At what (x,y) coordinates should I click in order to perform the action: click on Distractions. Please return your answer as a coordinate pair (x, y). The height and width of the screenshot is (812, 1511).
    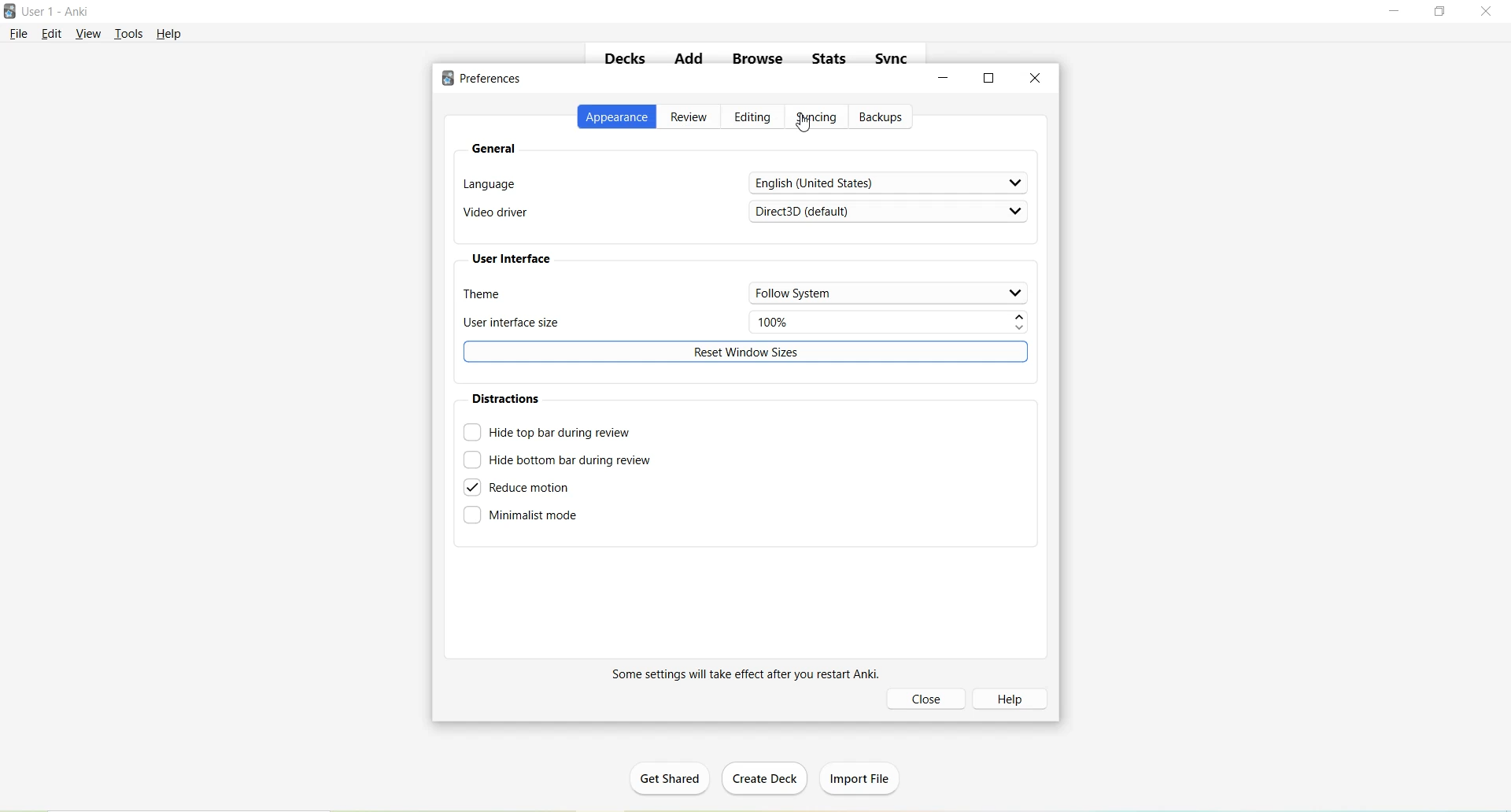
    Looking at the image, I should click on (509, 398).